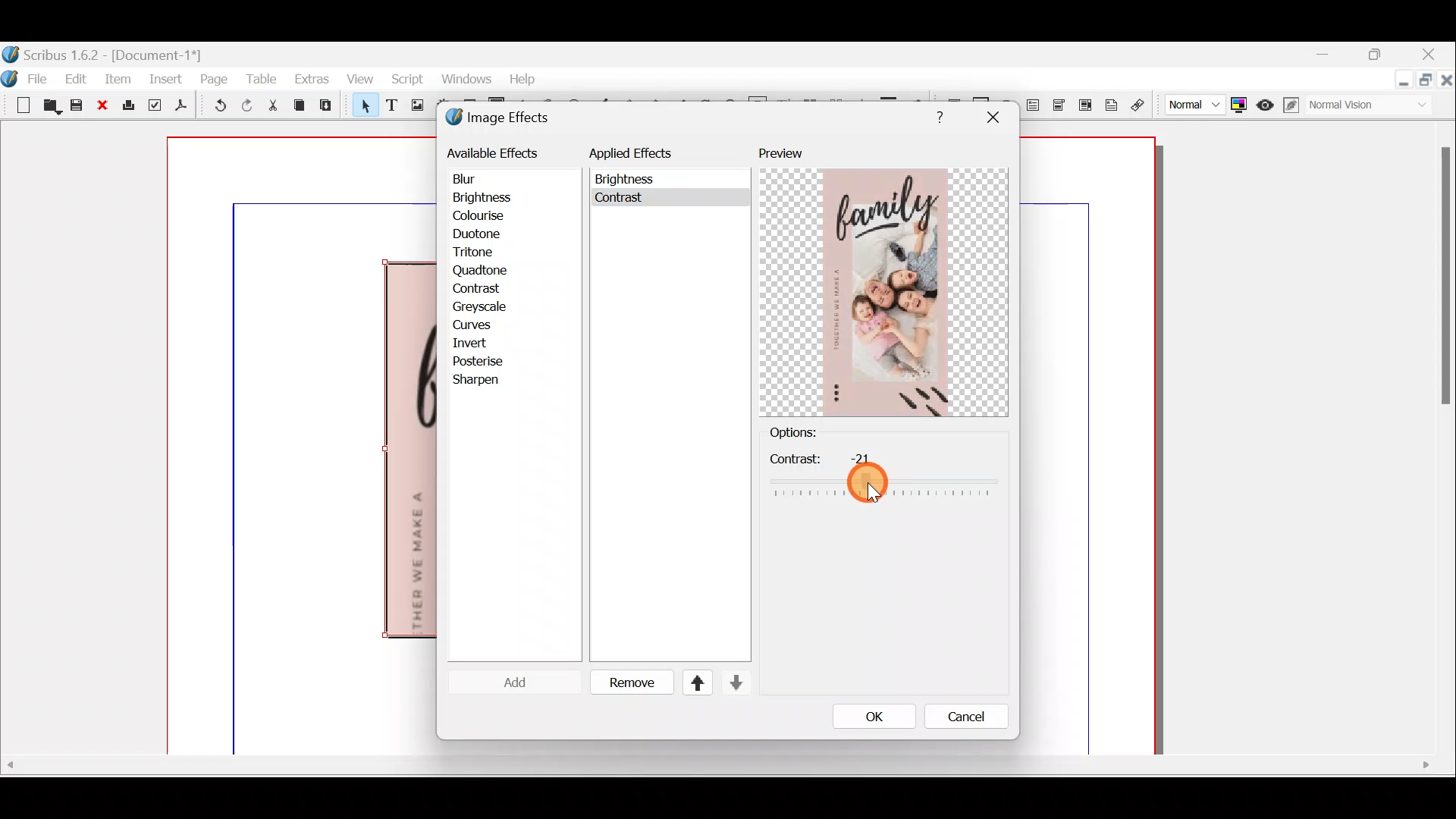  Describe the element at coordinates (1191, 103) in the screenshot. I see `Select image preview quality` at that location.